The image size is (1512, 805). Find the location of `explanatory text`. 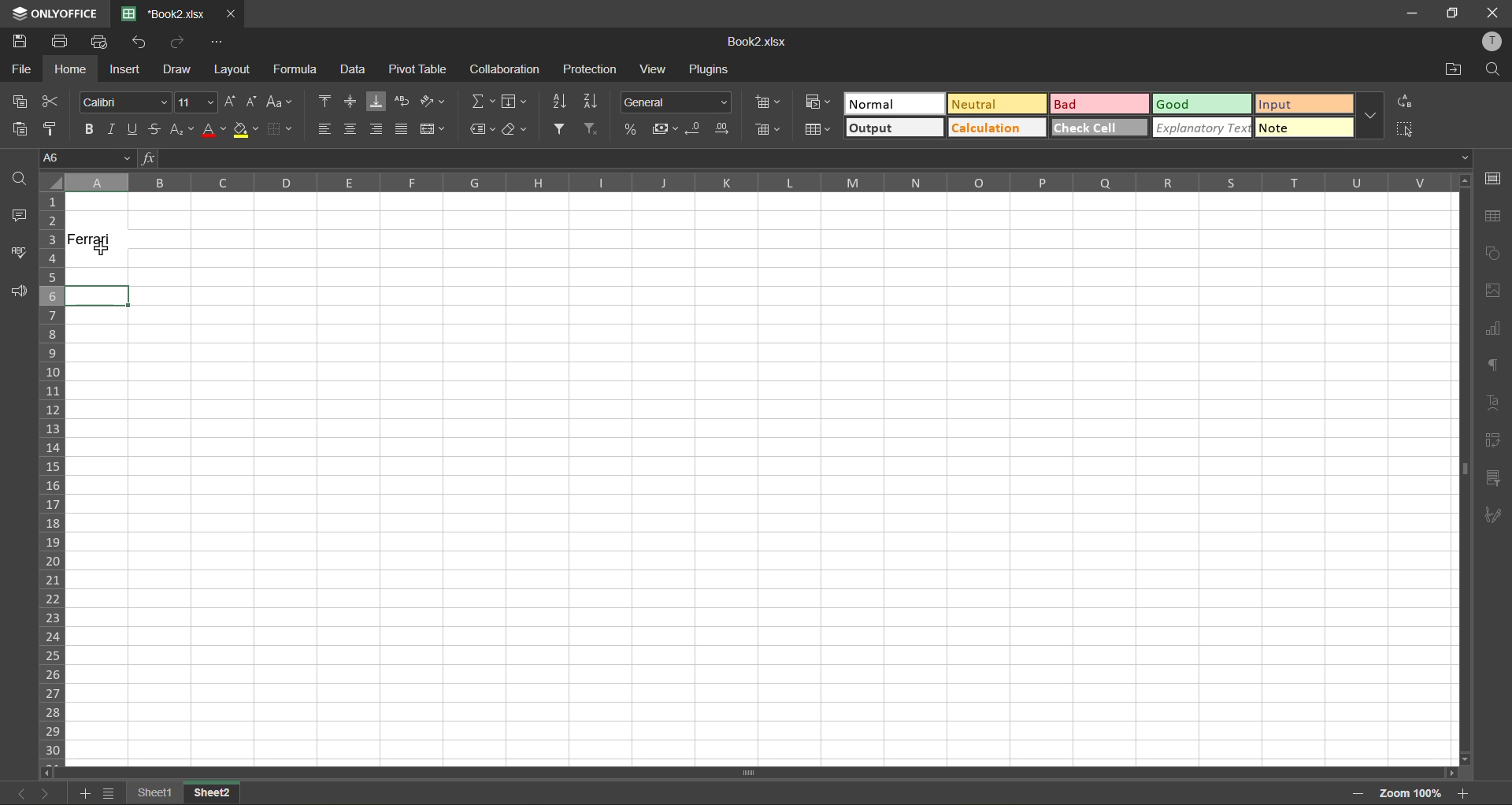

explanatory text is located at coordinates (1202, 128).